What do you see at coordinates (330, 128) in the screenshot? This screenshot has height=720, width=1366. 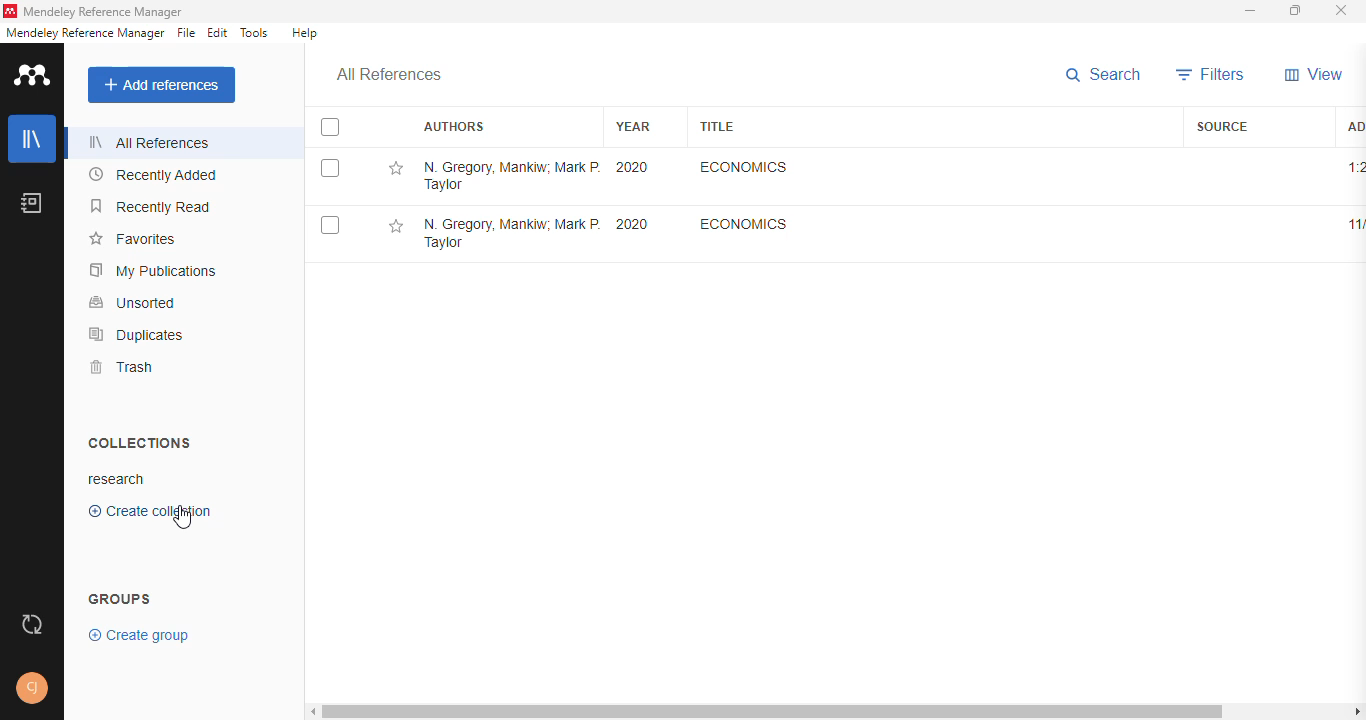 I see `select` at bounding box center [330, 128].